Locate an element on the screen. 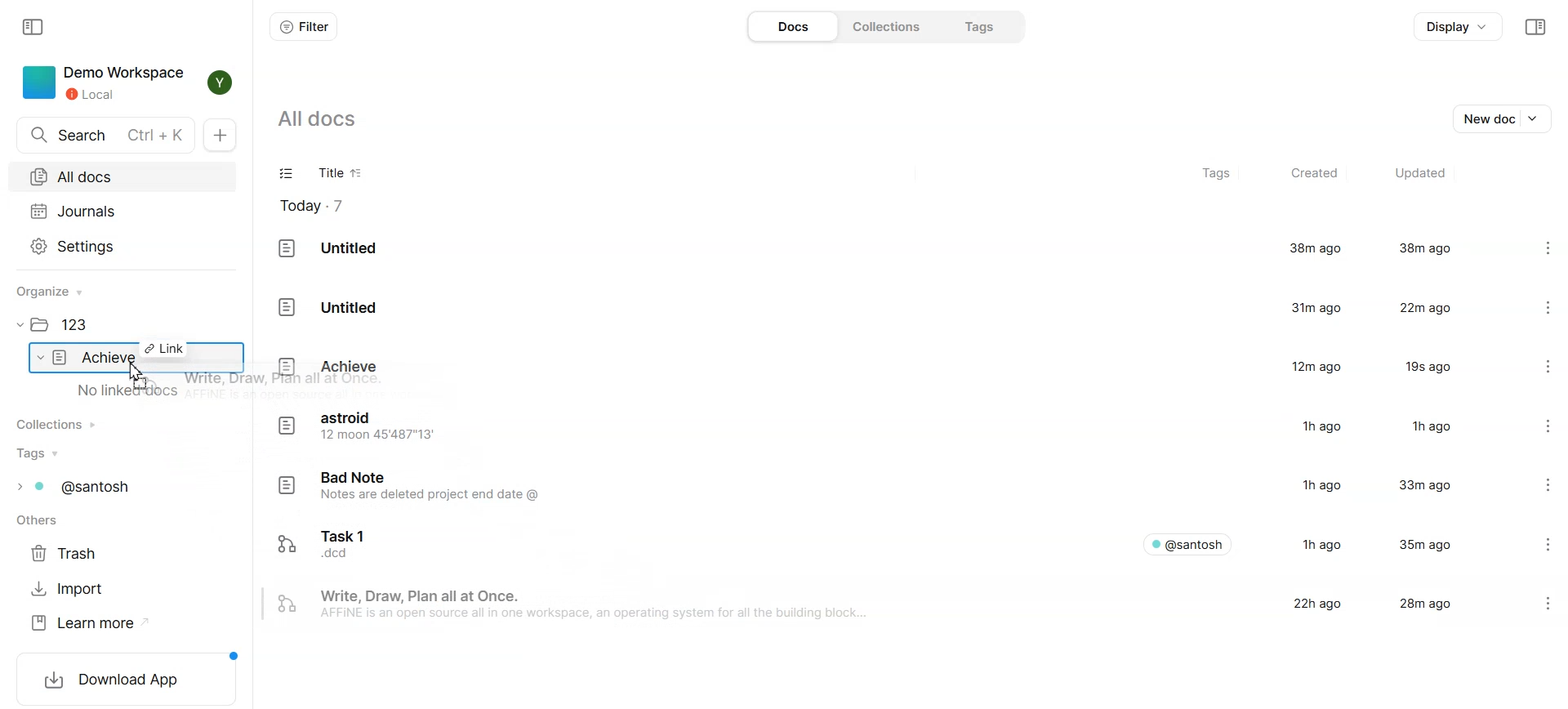  All docs is located at coordinates (122, 176).